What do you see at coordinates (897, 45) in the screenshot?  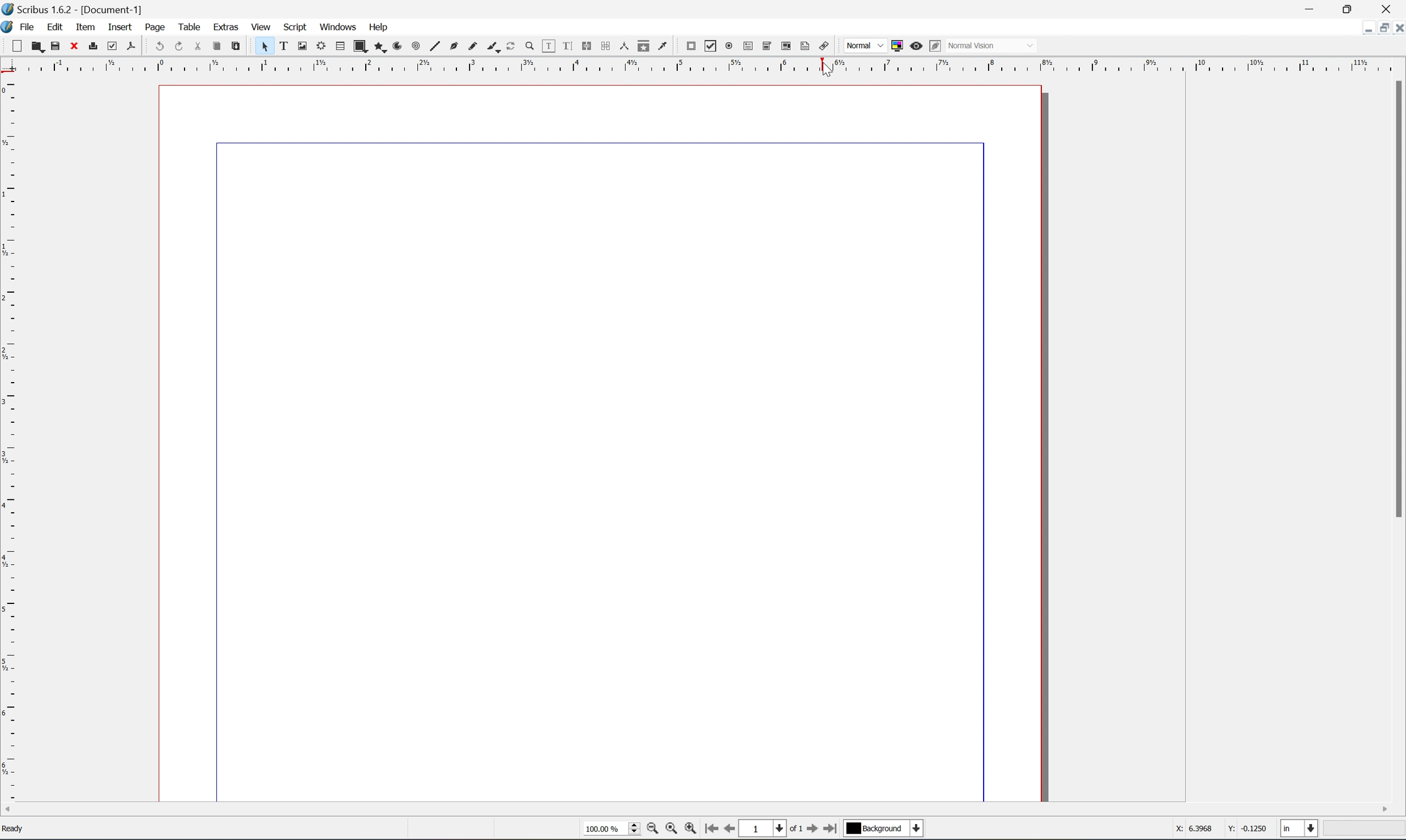 I see `toggle color management system` at bounding box center [897, 45].